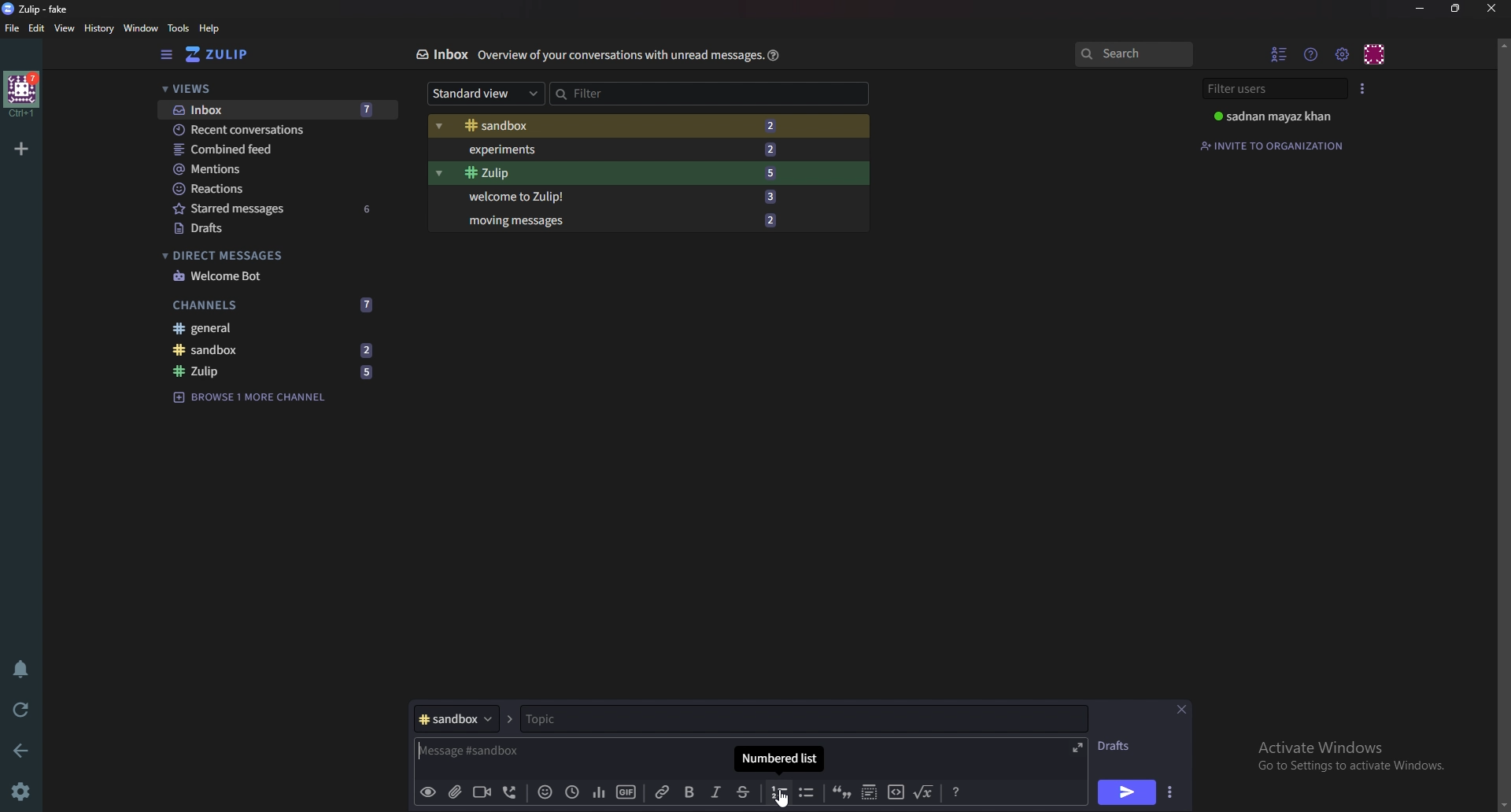 The width and height of the screenshot is (1511, 812). I want to click on Spoiler, so click(867, 794).